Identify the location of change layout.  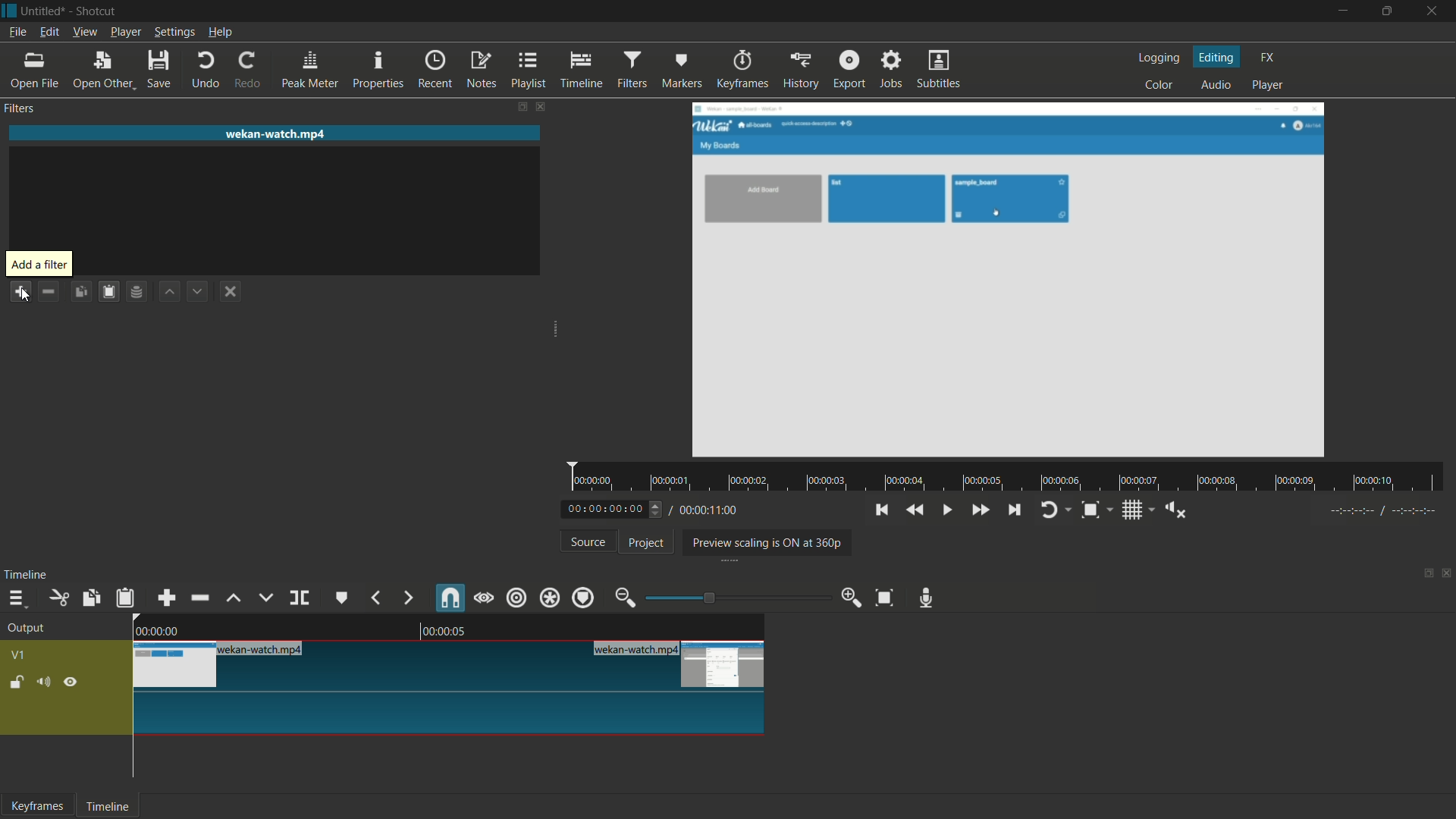
(522, 107).